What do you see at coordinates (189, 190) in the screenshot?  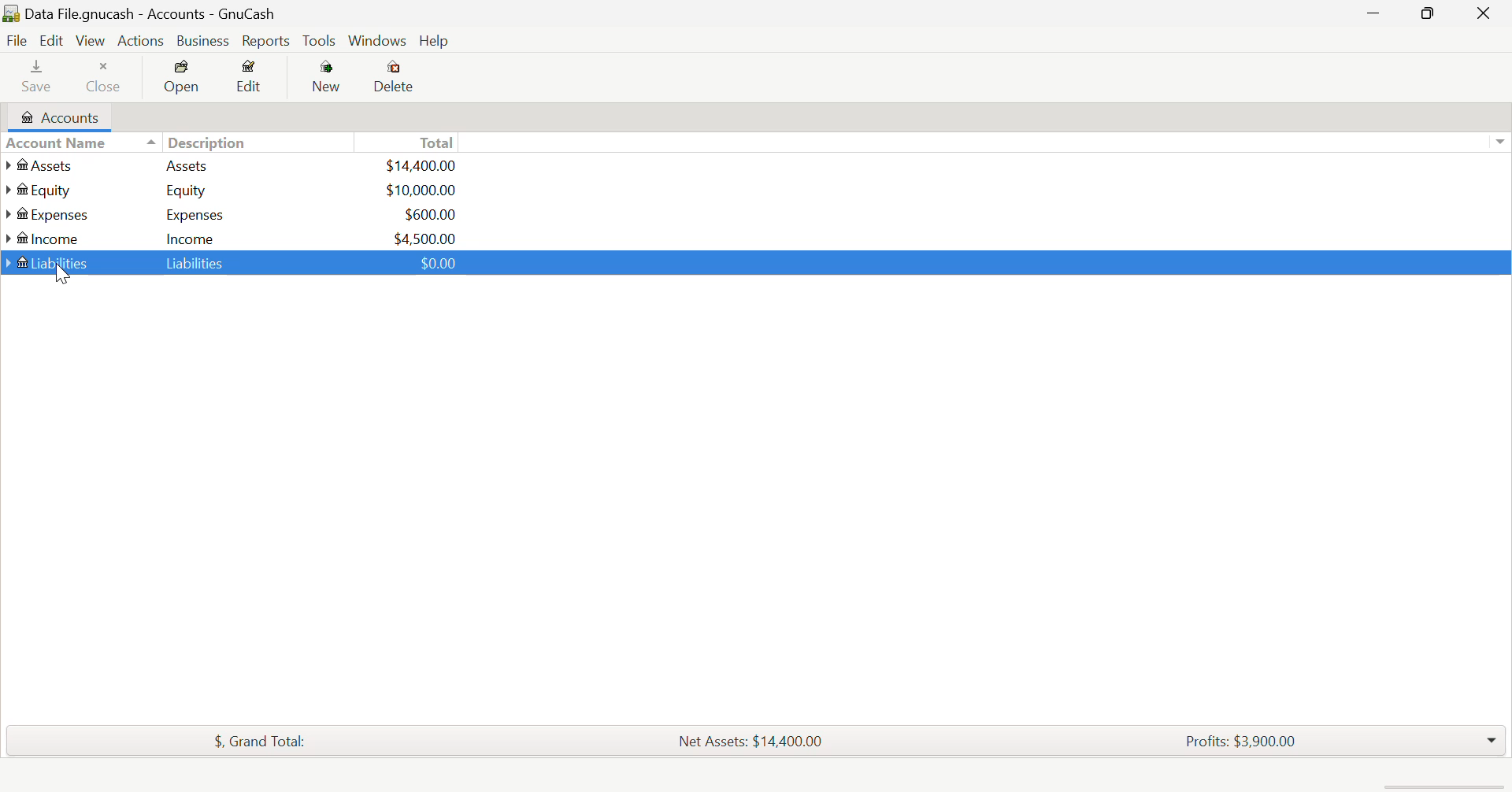 I see `Equity` at bounding box center [189, 190].